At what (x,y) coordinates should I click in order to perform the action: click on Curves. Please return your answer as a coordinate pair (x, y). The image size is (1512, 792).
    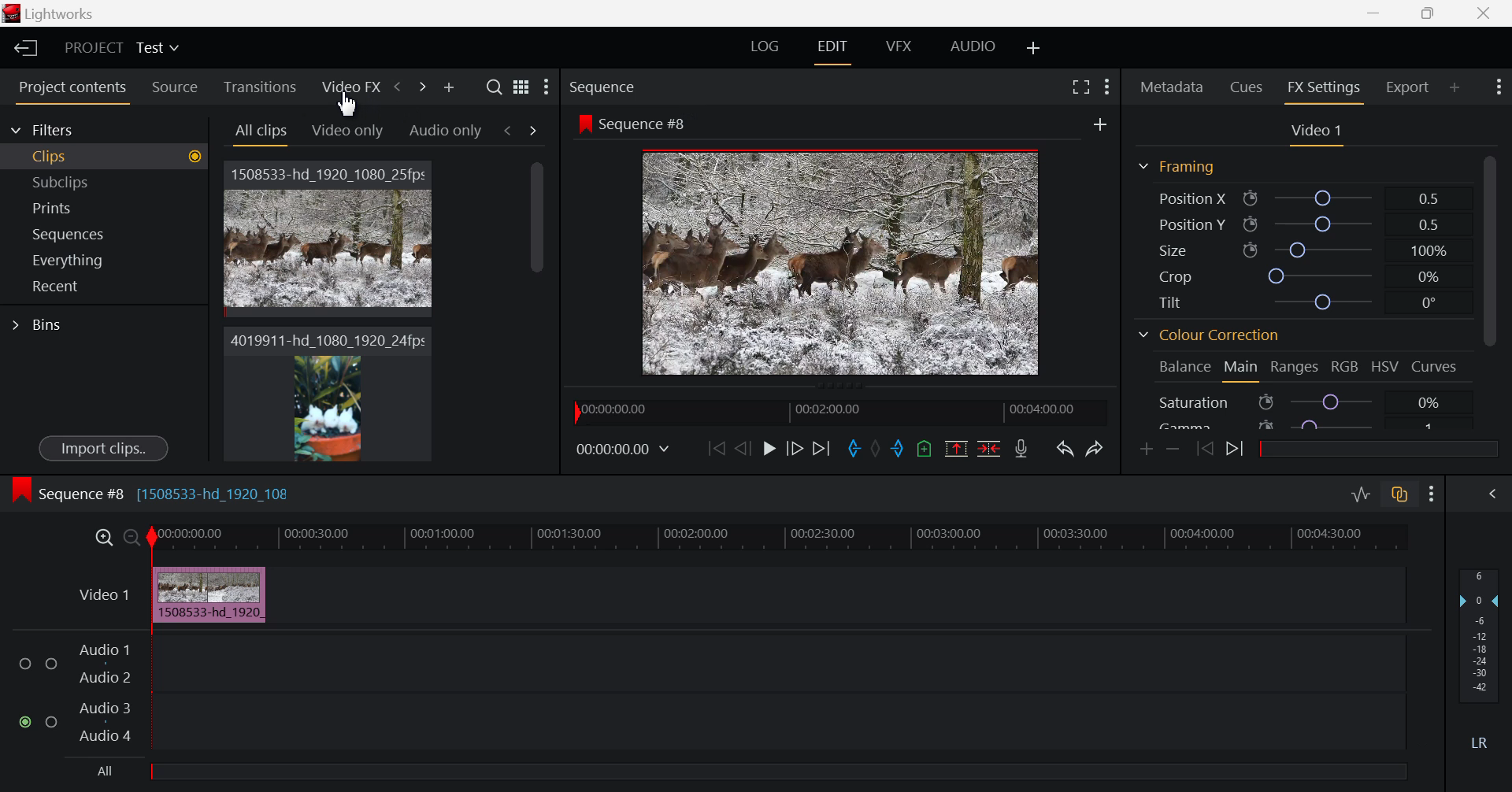
    Looking at the image, I should click on (1433, 367).